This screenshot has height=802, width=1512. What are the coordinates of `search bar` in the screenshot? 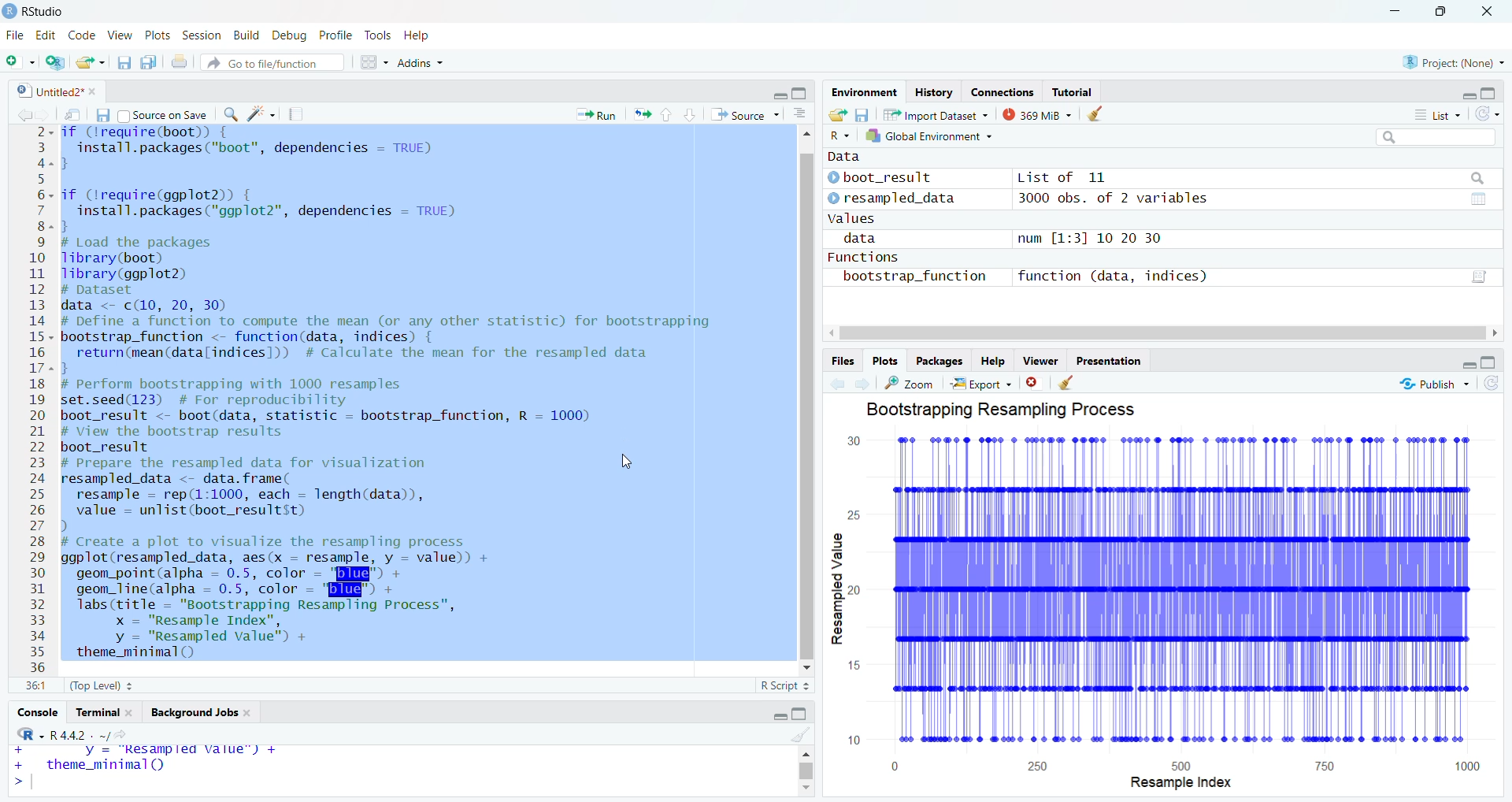 It's located at (1475, 179).